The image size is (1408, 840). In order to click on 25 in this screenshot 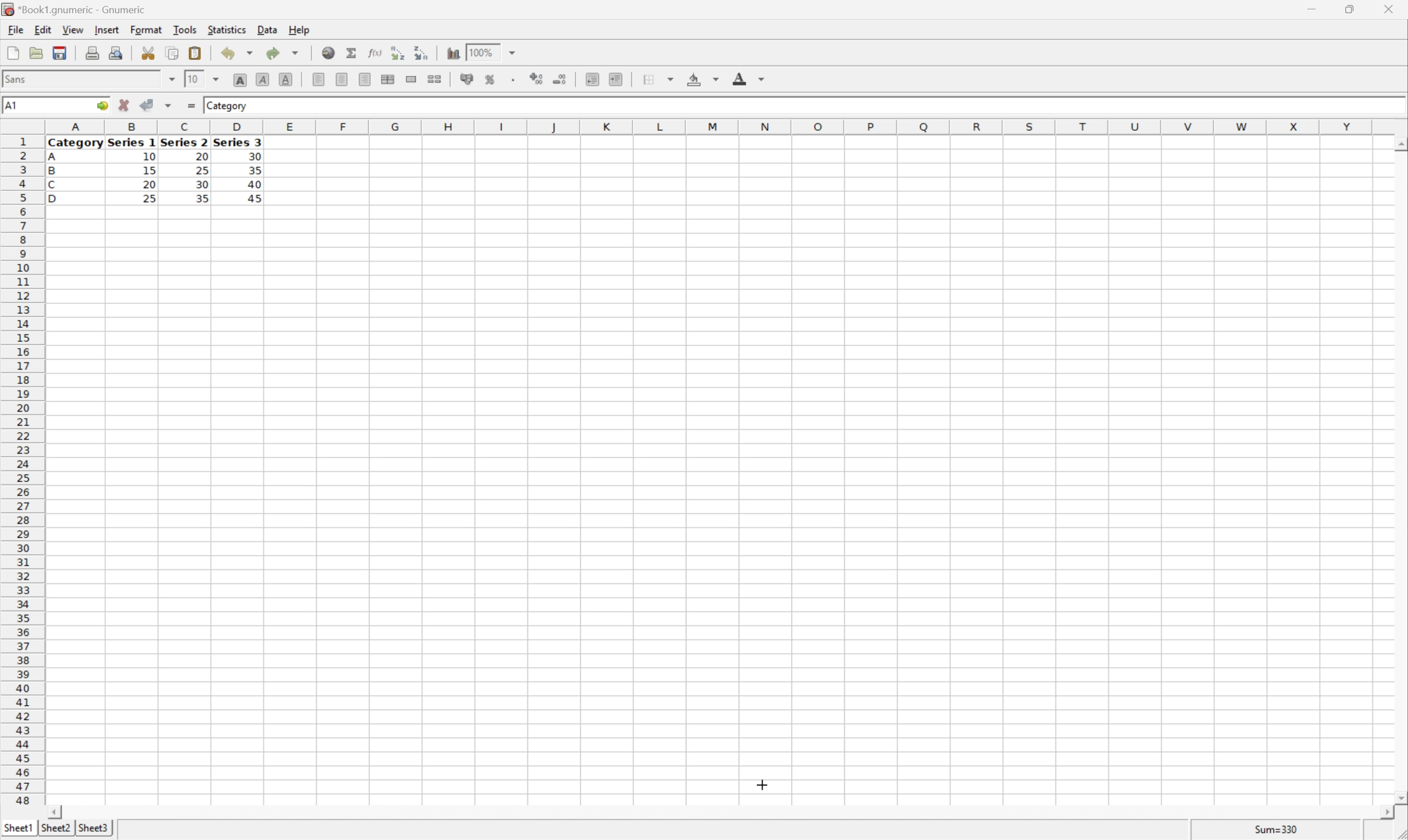, I will do `click(203, 170)`.